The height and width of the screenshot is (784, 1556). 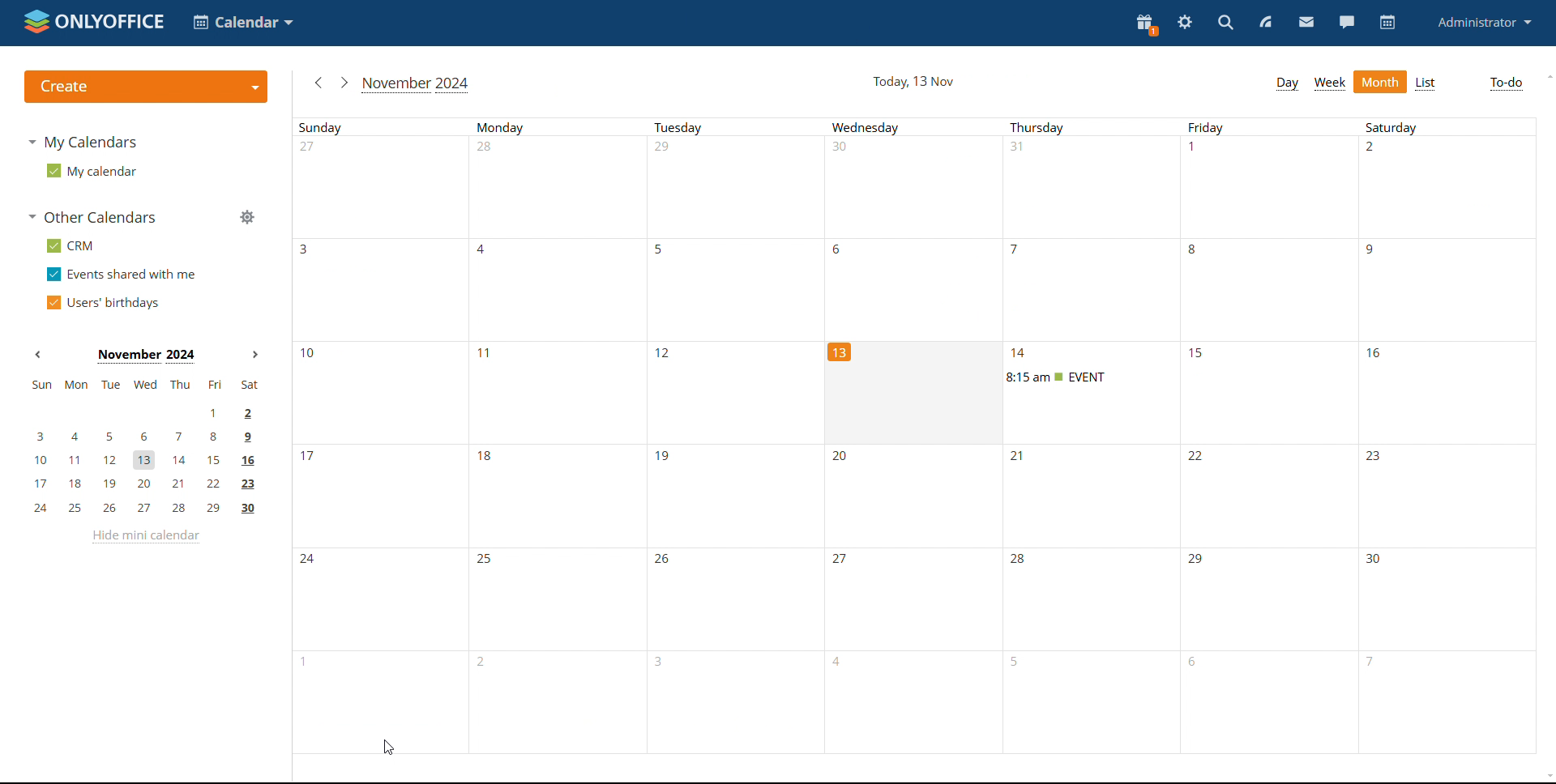 What do you see at coordinates (1266, 24) in the screenshot?
I see `feed` at bounding box center [1266, 24].